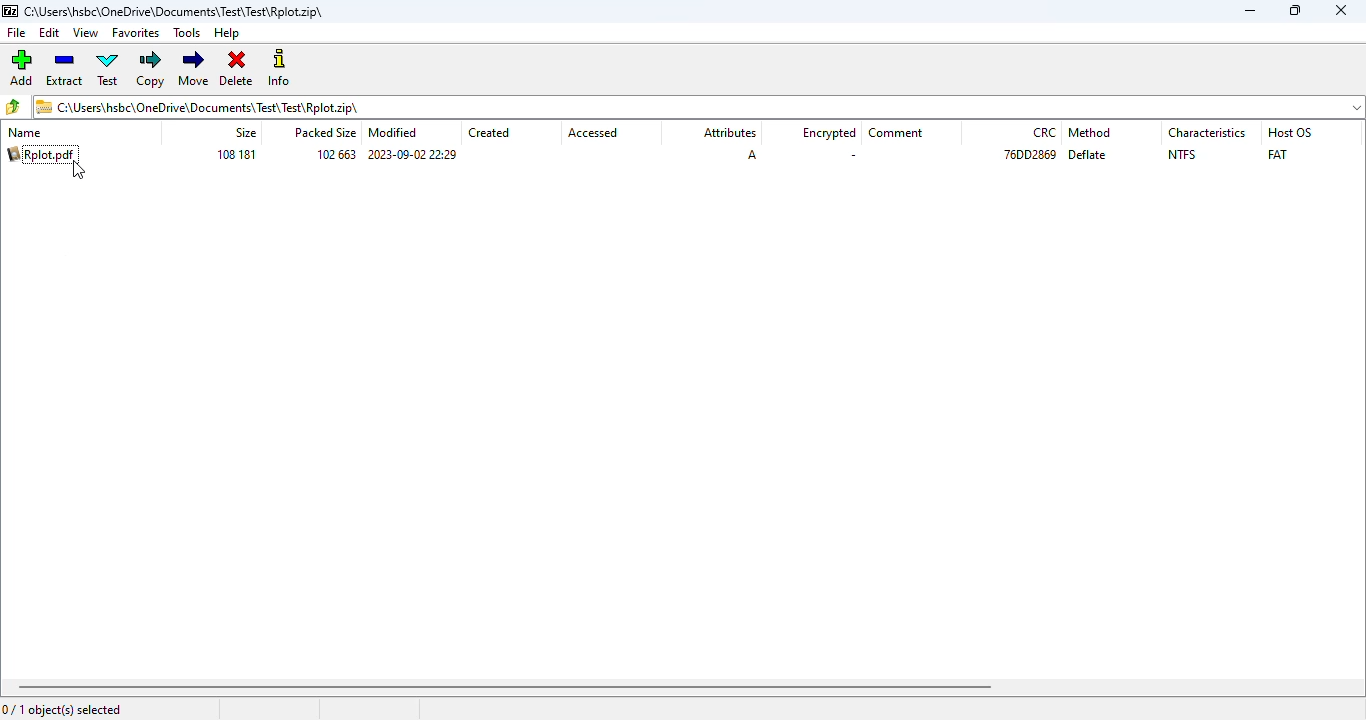  What do you see at coordinates (17, 32) in the screenshot?
I see `file` at bounding box center [17, 32].